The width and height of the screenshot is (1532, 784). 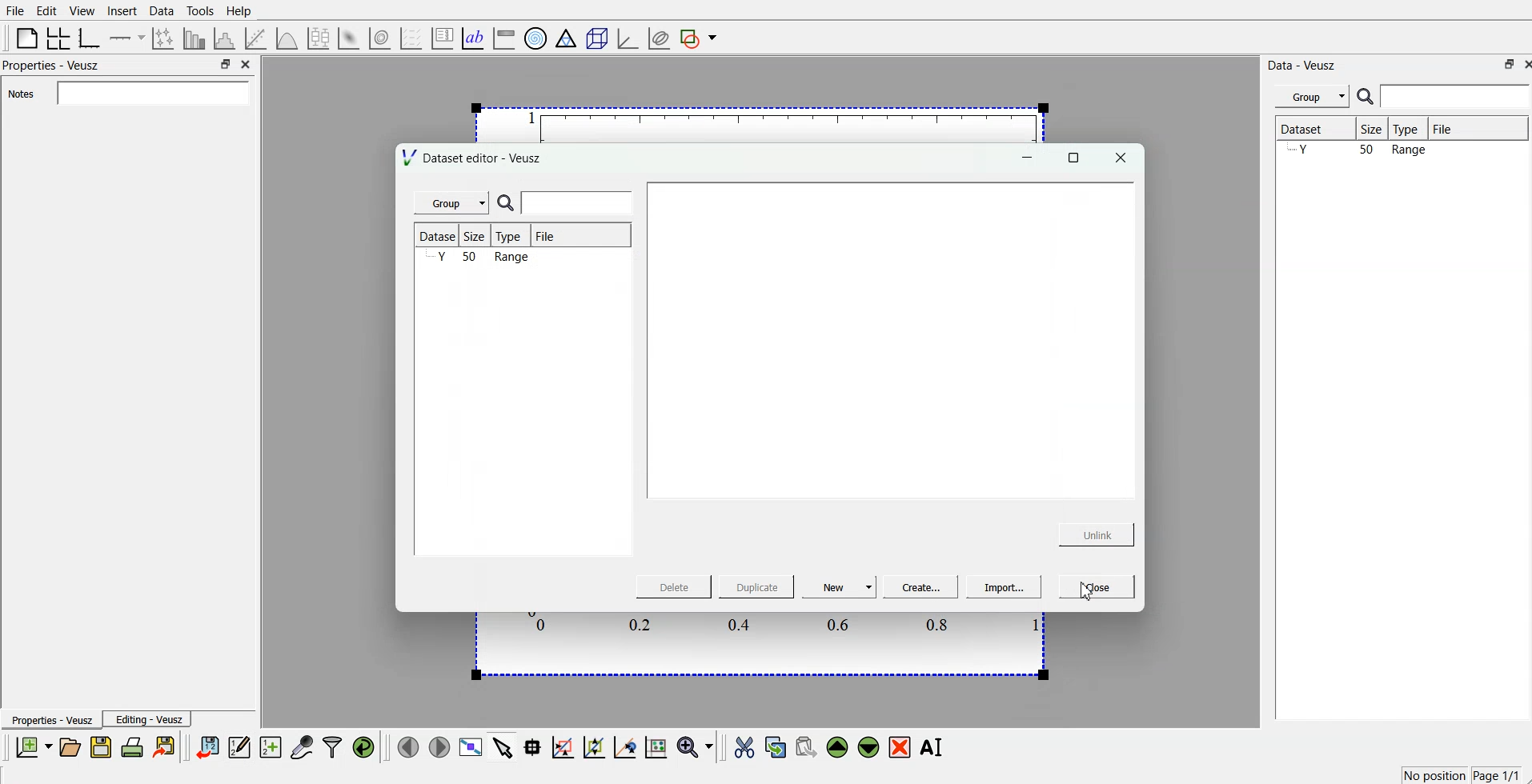 I want to click on plot key, so click(x=442, y=37).